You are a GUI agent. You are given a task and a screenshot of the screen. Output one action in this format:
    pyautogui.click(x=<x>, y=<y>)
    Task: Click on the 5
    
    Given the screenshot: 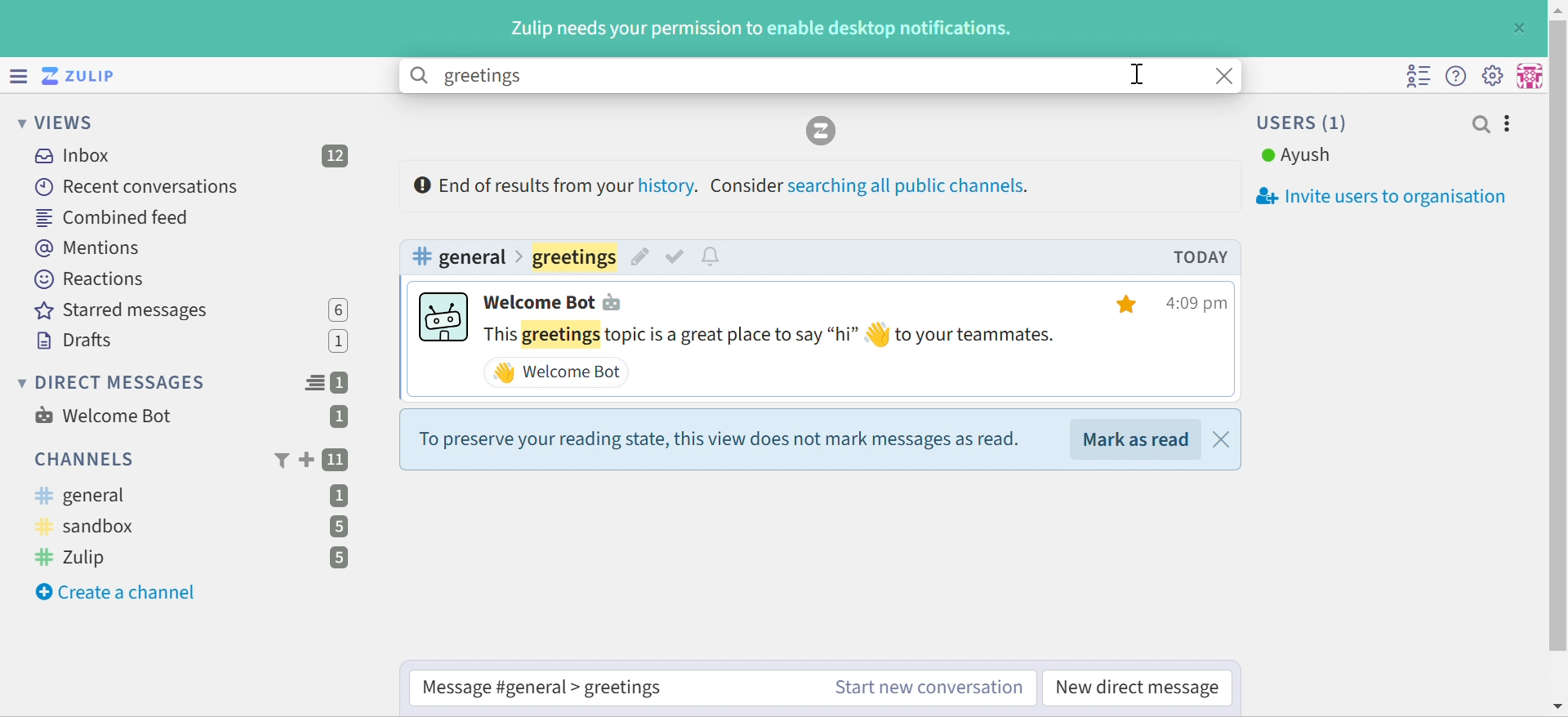 What is the action you would take?
    pyautogui.click(x=337, y=527)
    